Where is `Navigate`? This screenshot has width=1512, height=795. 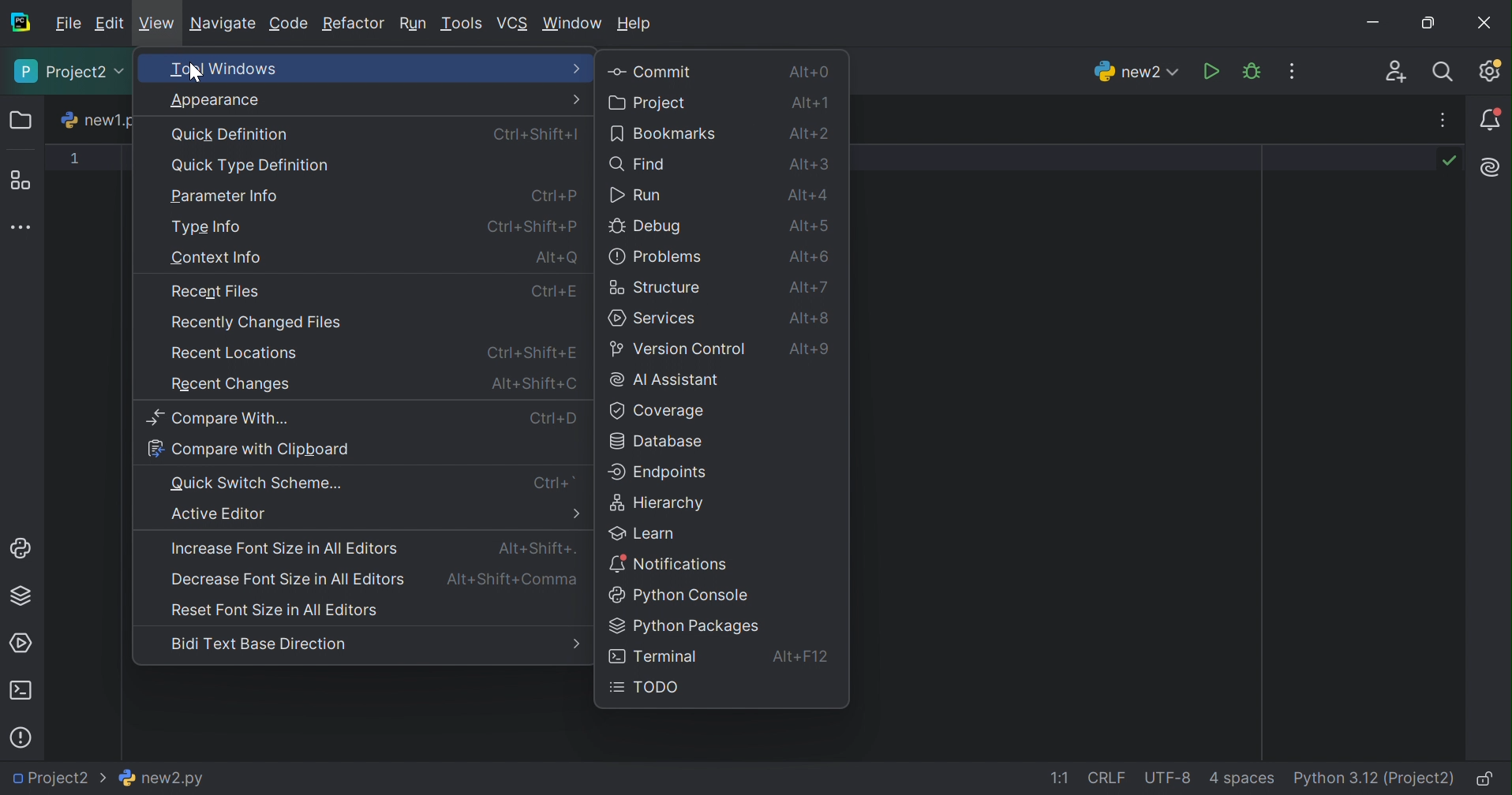 Navigate is located at coordinates (221, 24).